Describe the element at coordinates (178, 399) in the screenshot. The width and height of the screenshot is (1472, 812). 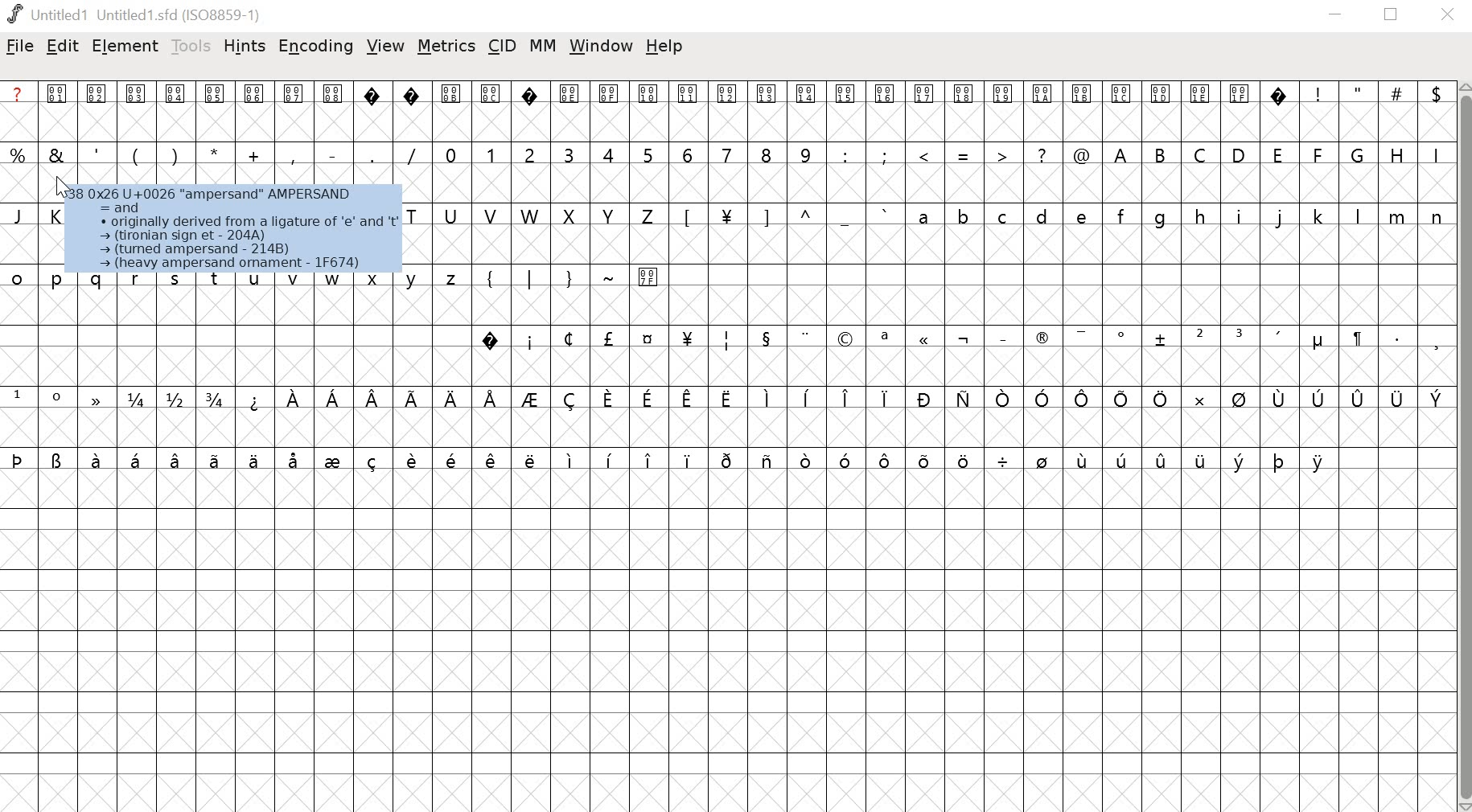
I see `1/2` at that location.